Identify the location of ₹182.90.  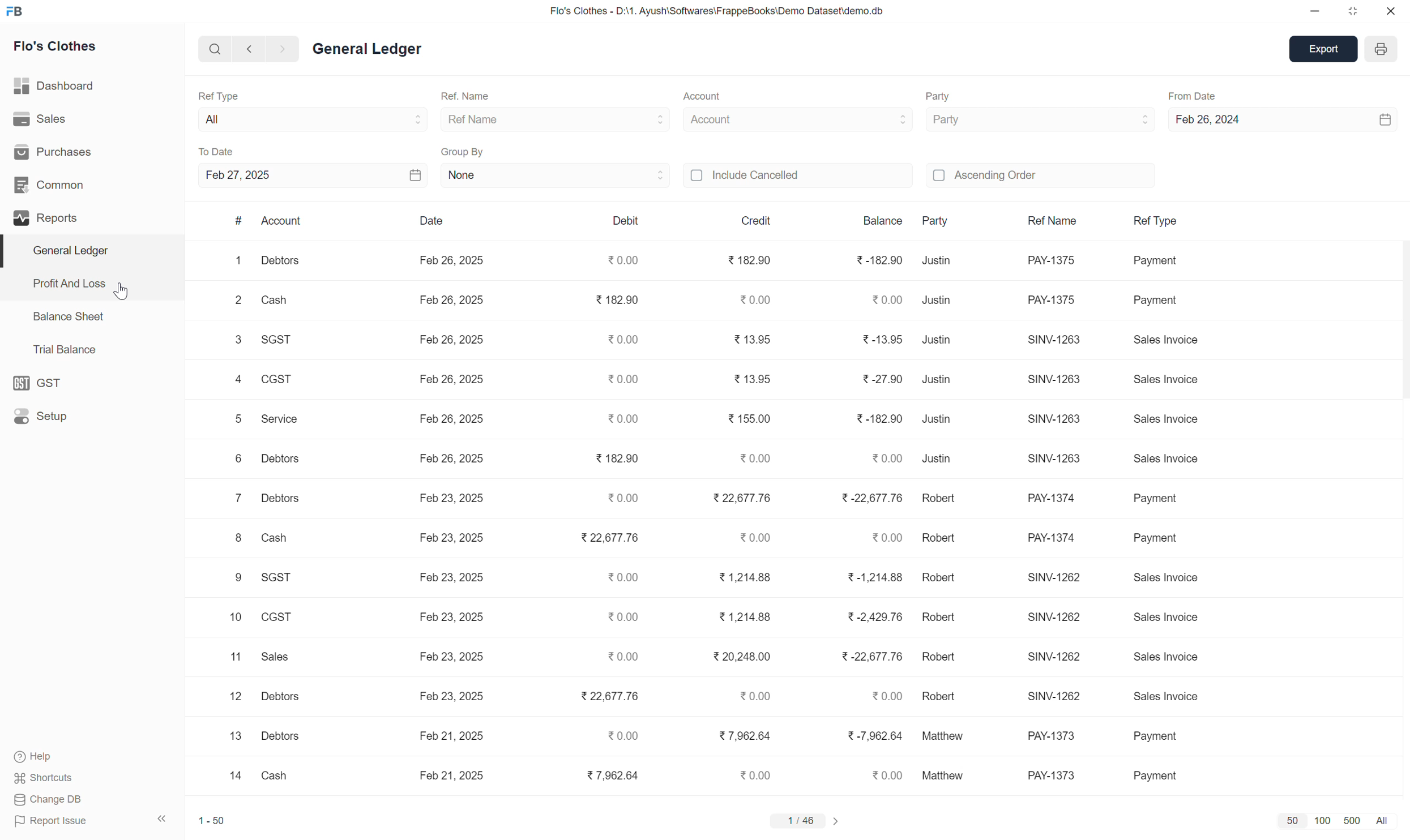
(612, 458).